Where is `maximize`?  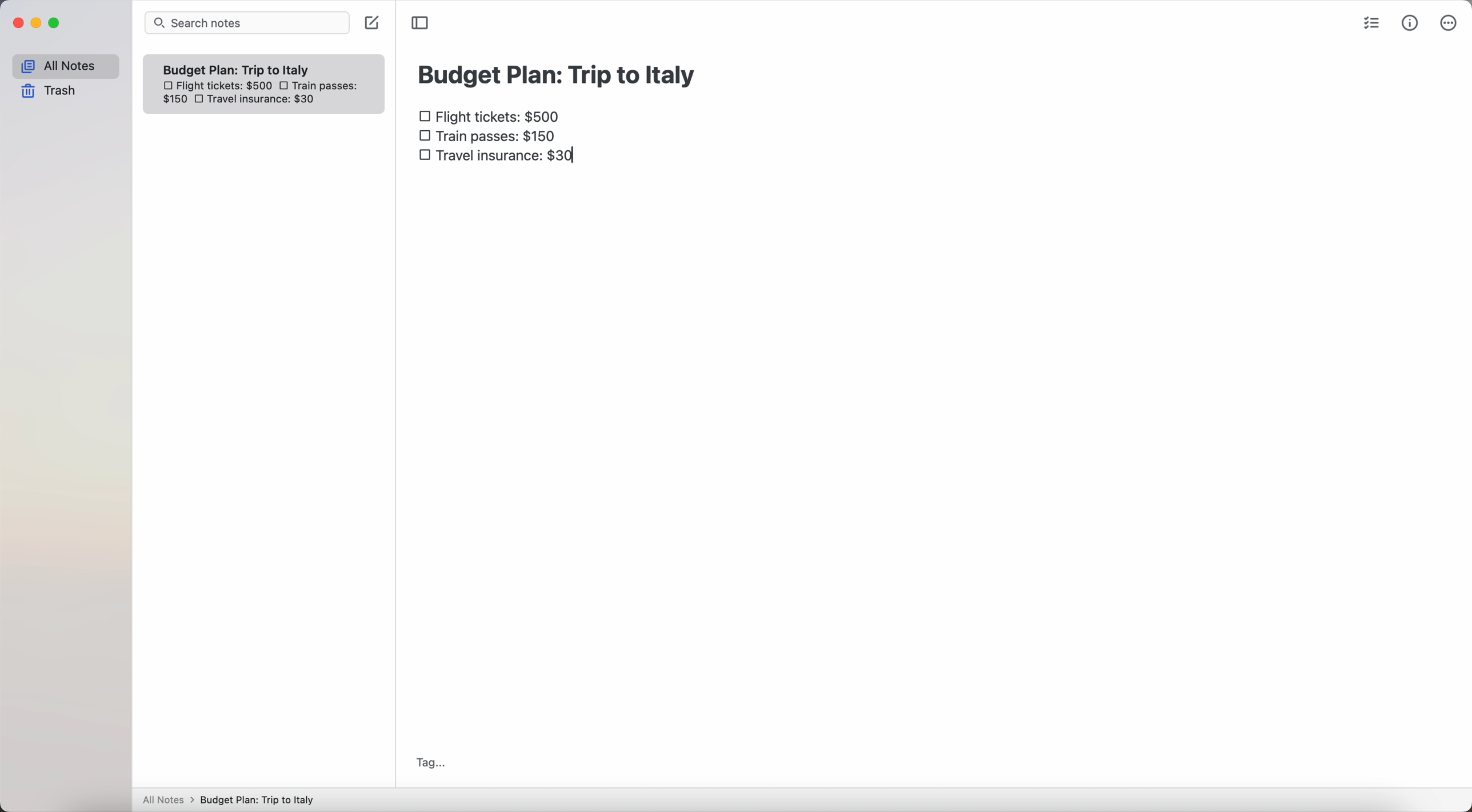 maximize is located at coordinates (57, 23).